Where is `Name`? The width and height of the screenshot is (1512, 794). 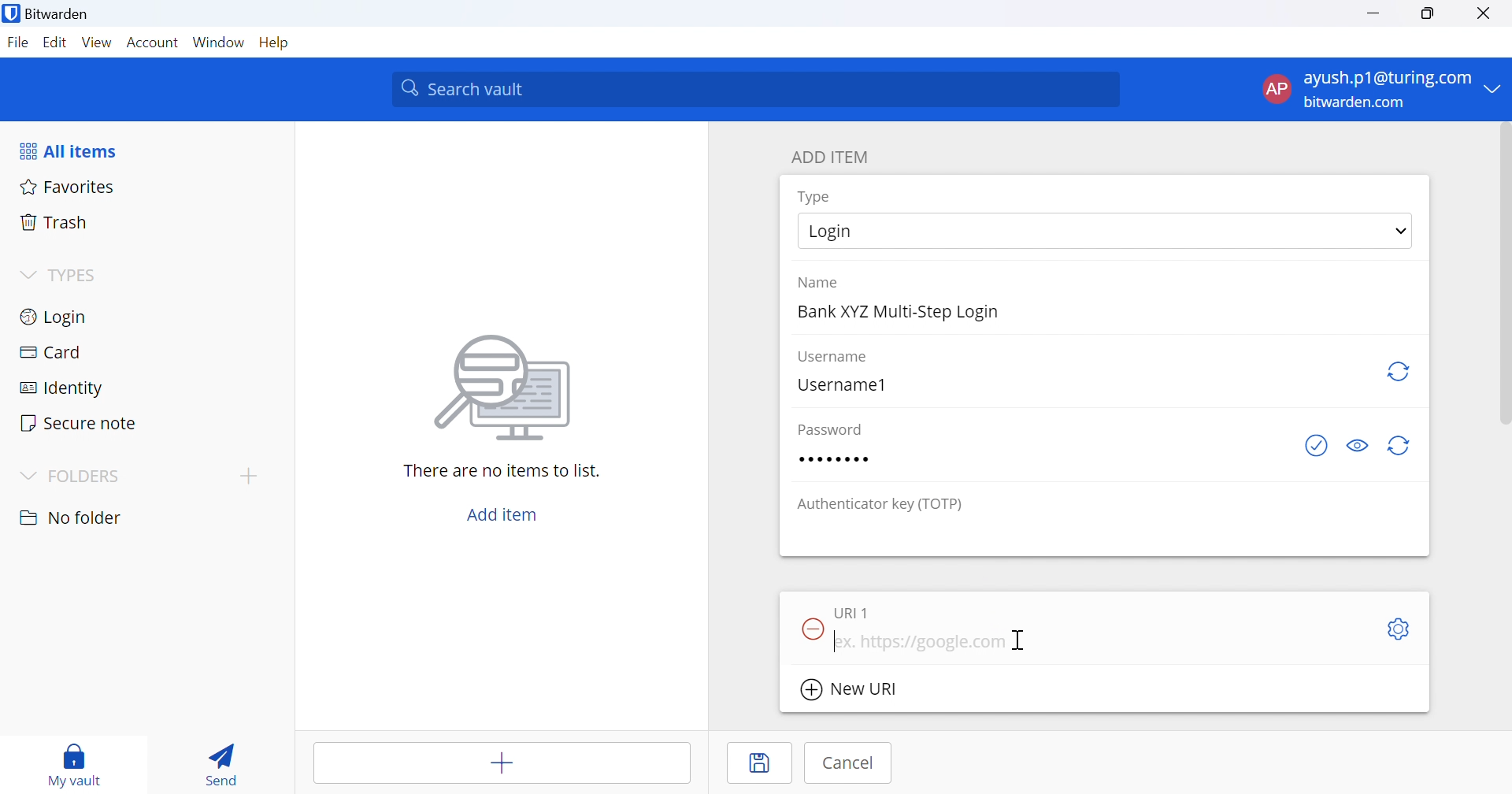 Name is located at coordinates (821, 283).